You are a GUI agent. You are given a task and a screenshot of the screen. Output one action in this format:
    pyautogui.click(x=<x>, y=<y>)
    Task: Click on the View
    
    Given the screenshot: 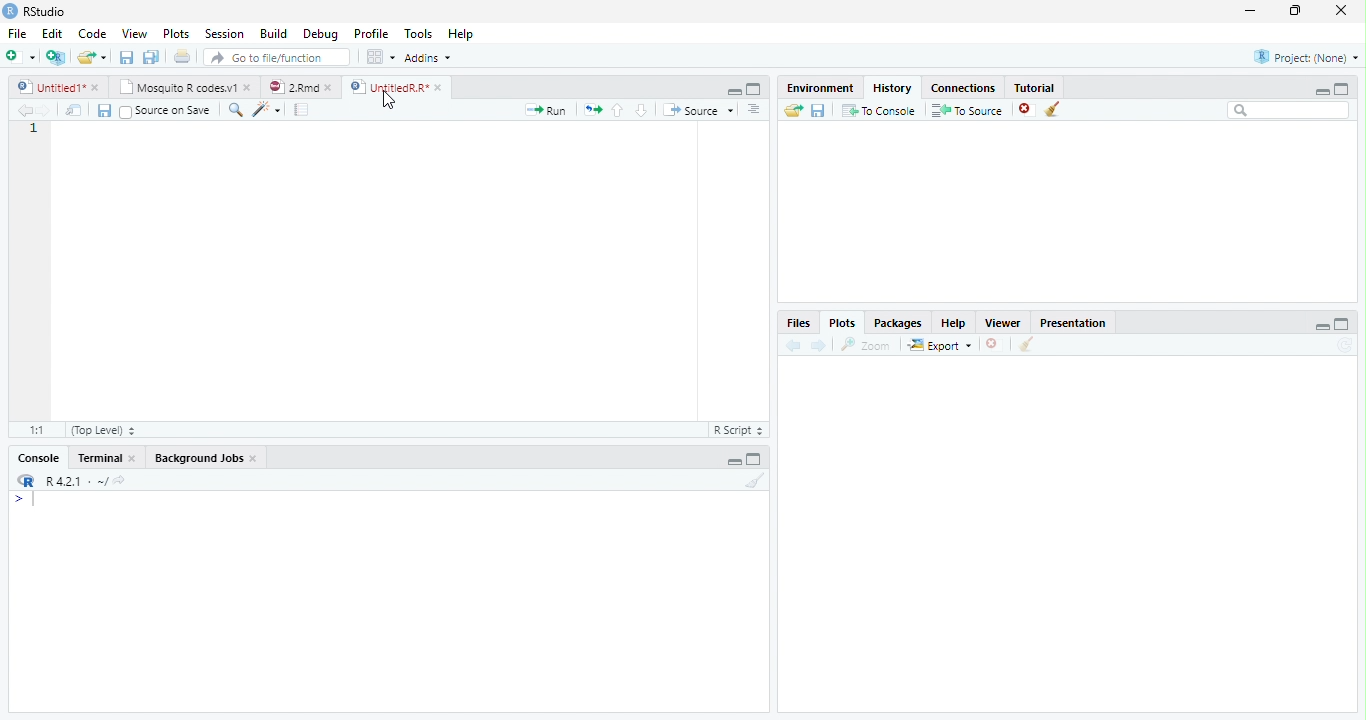 What is the action you would take?
    pyautogui.click(x=134, y=33)
    